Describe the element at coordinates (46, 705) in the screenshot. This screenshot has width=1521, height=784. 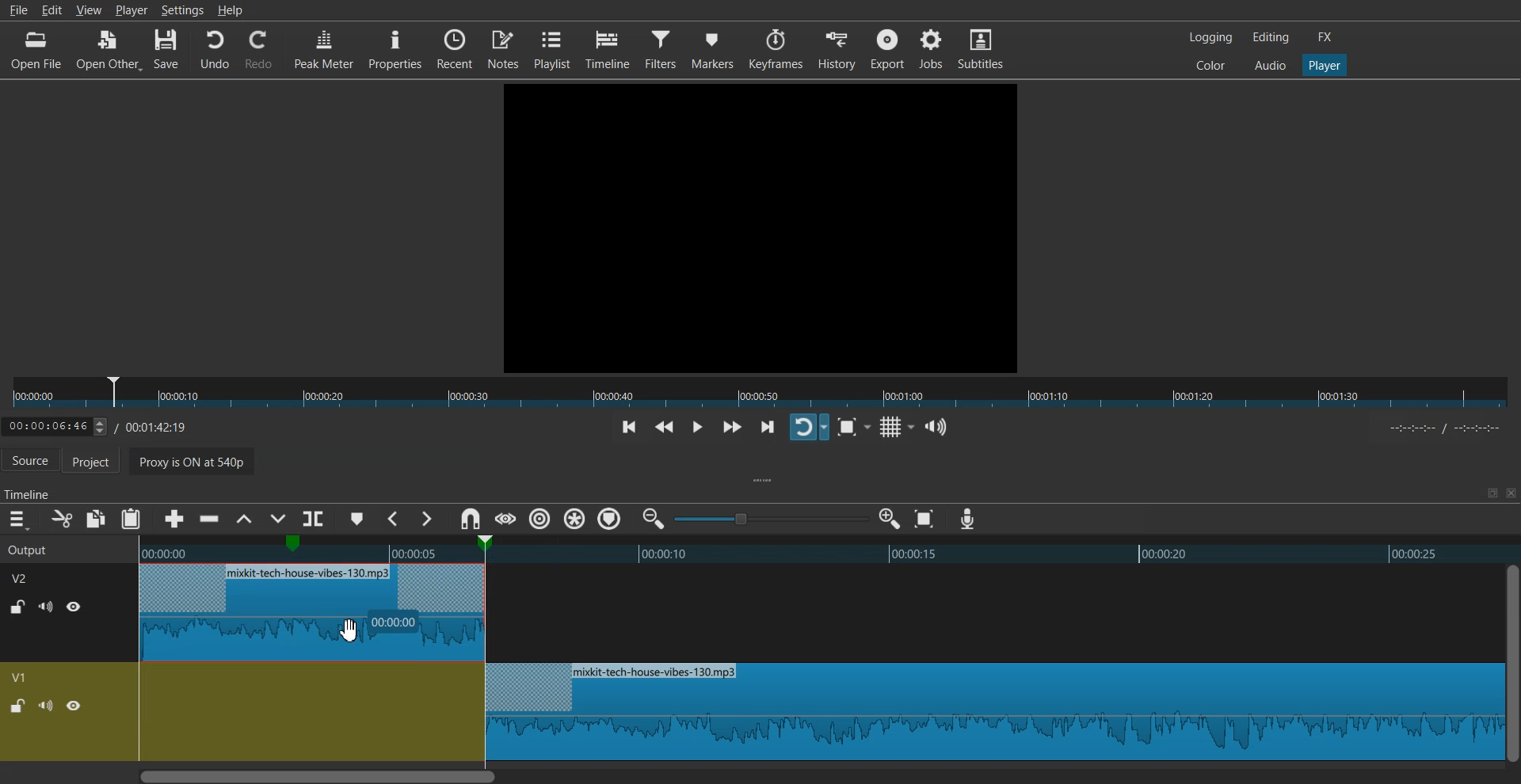
I see `Mute` at that location.